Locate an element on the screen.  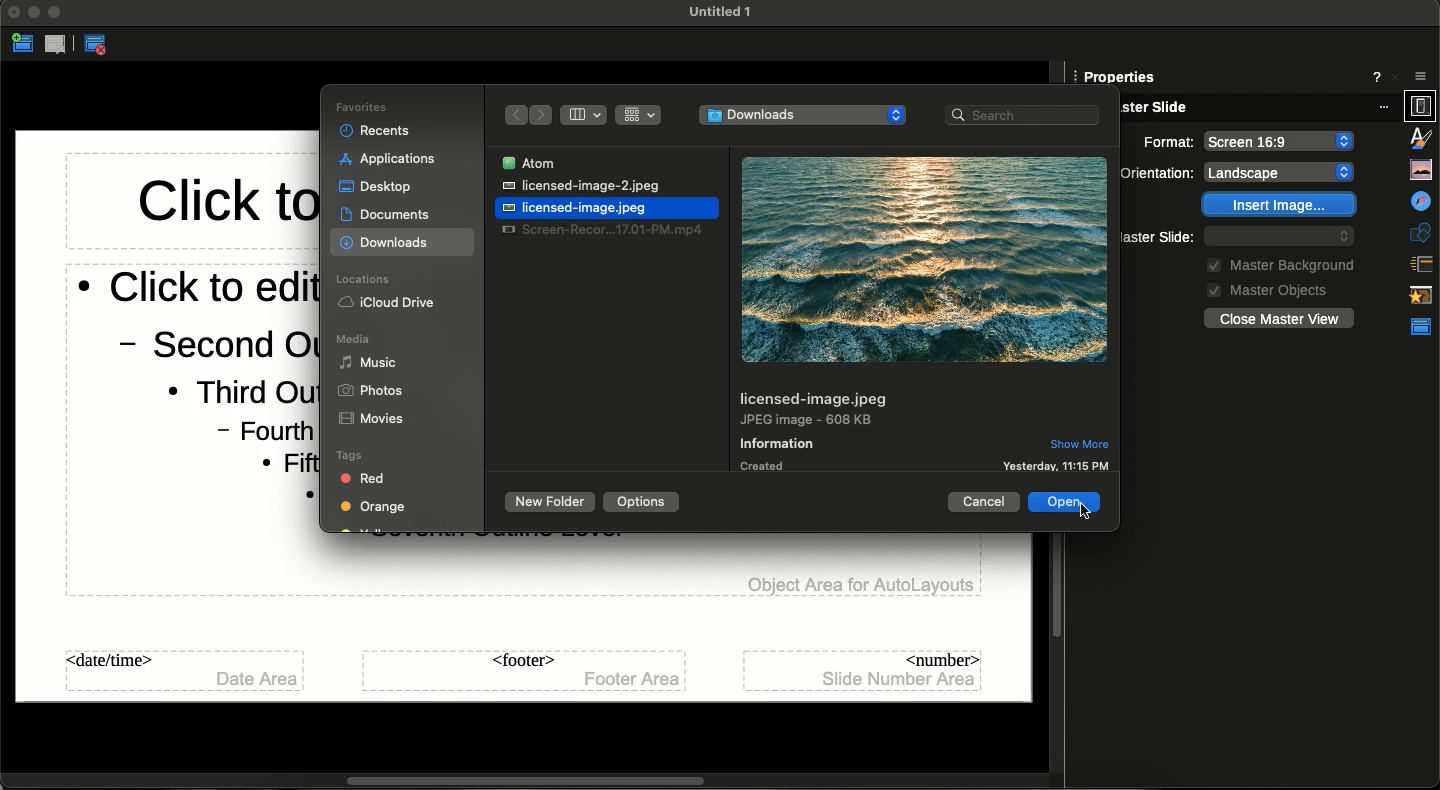
Scrollbar is located at coordinates (534, 779).